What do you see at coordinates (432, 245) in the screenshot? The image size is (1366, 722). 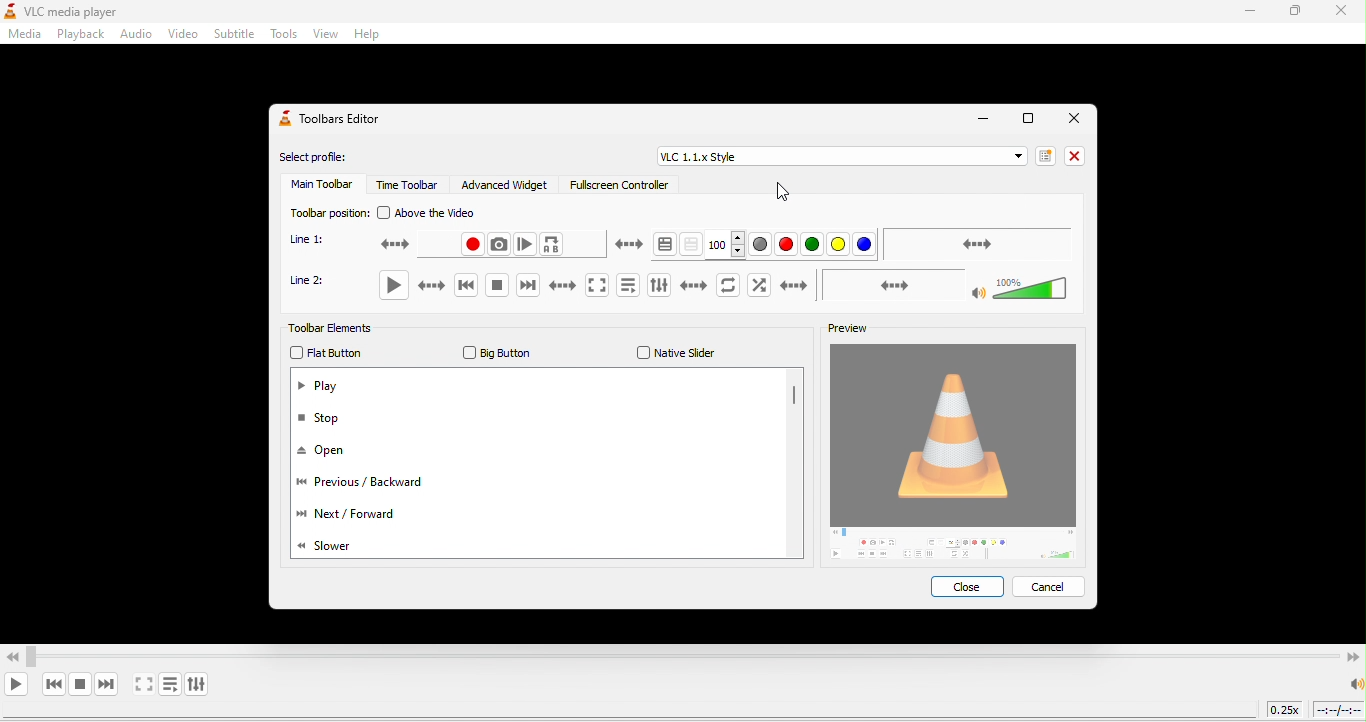 I see `record` at bounding box center [432, 245].